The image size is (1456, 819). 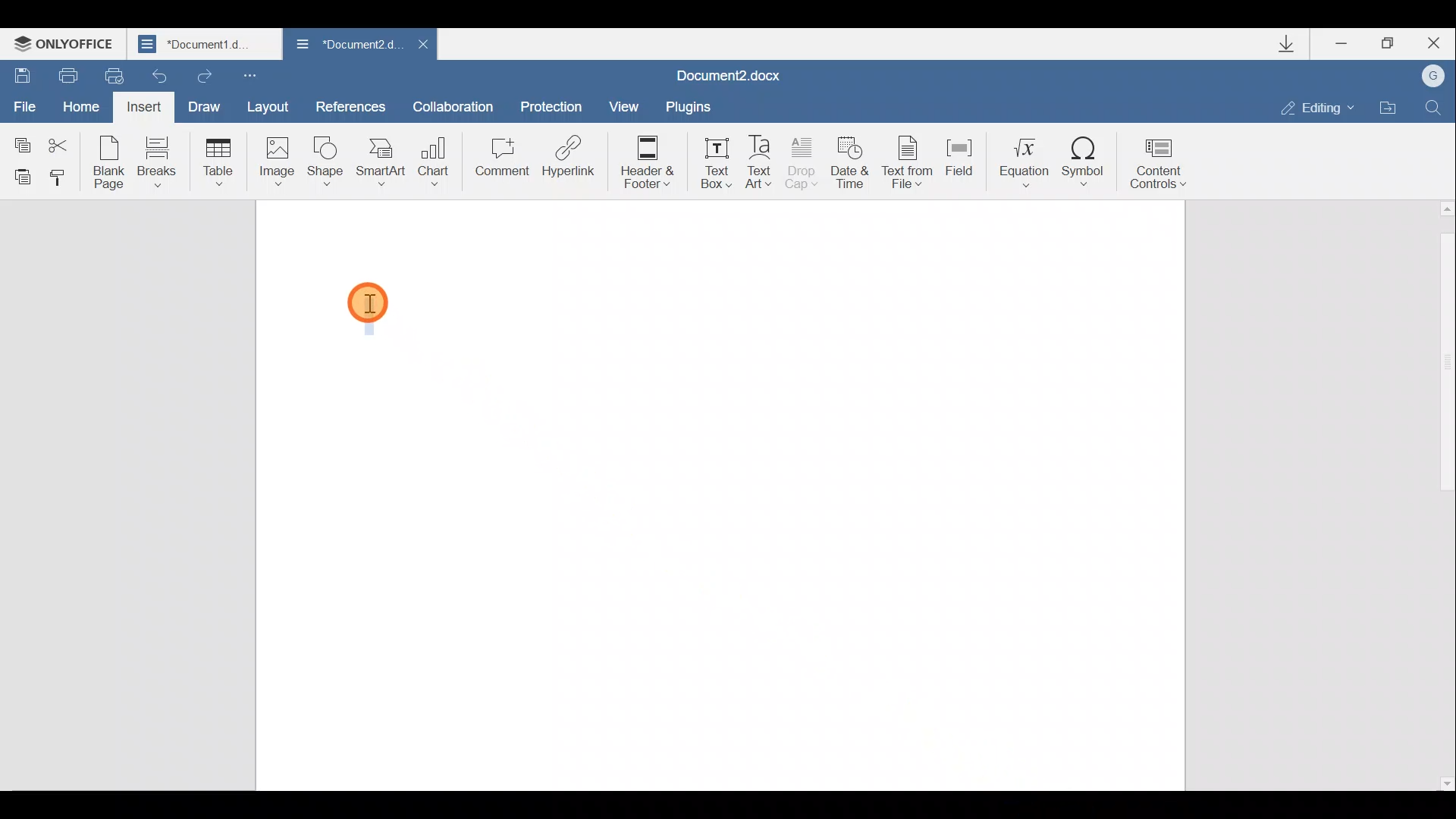 What do you see at coordinates (1435, 105) in the screenshot?
I see `Find` at bounding box center [1435, 105].